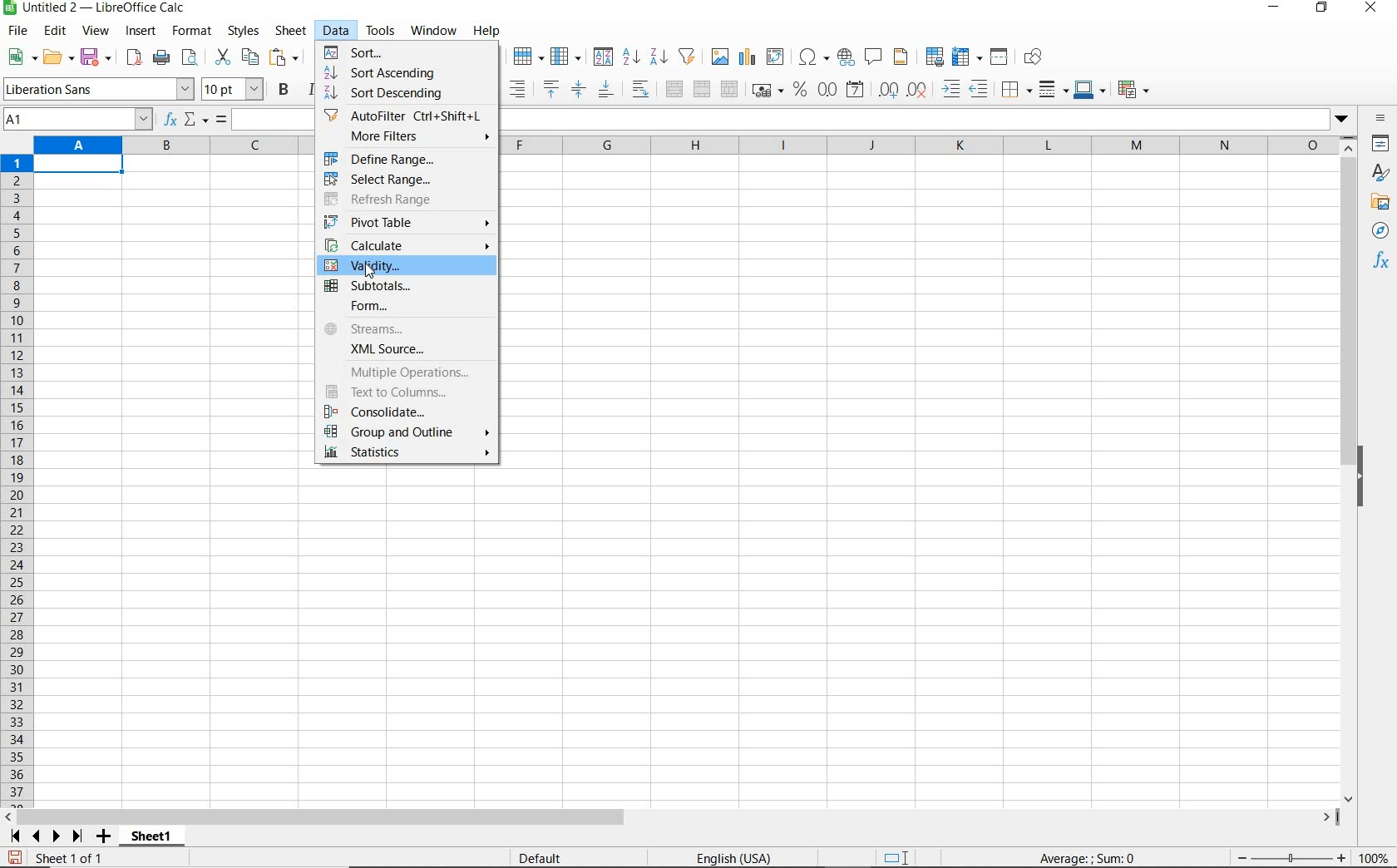 The image size is (1397, 868). I want to click on sort descending, so click(408, 95).